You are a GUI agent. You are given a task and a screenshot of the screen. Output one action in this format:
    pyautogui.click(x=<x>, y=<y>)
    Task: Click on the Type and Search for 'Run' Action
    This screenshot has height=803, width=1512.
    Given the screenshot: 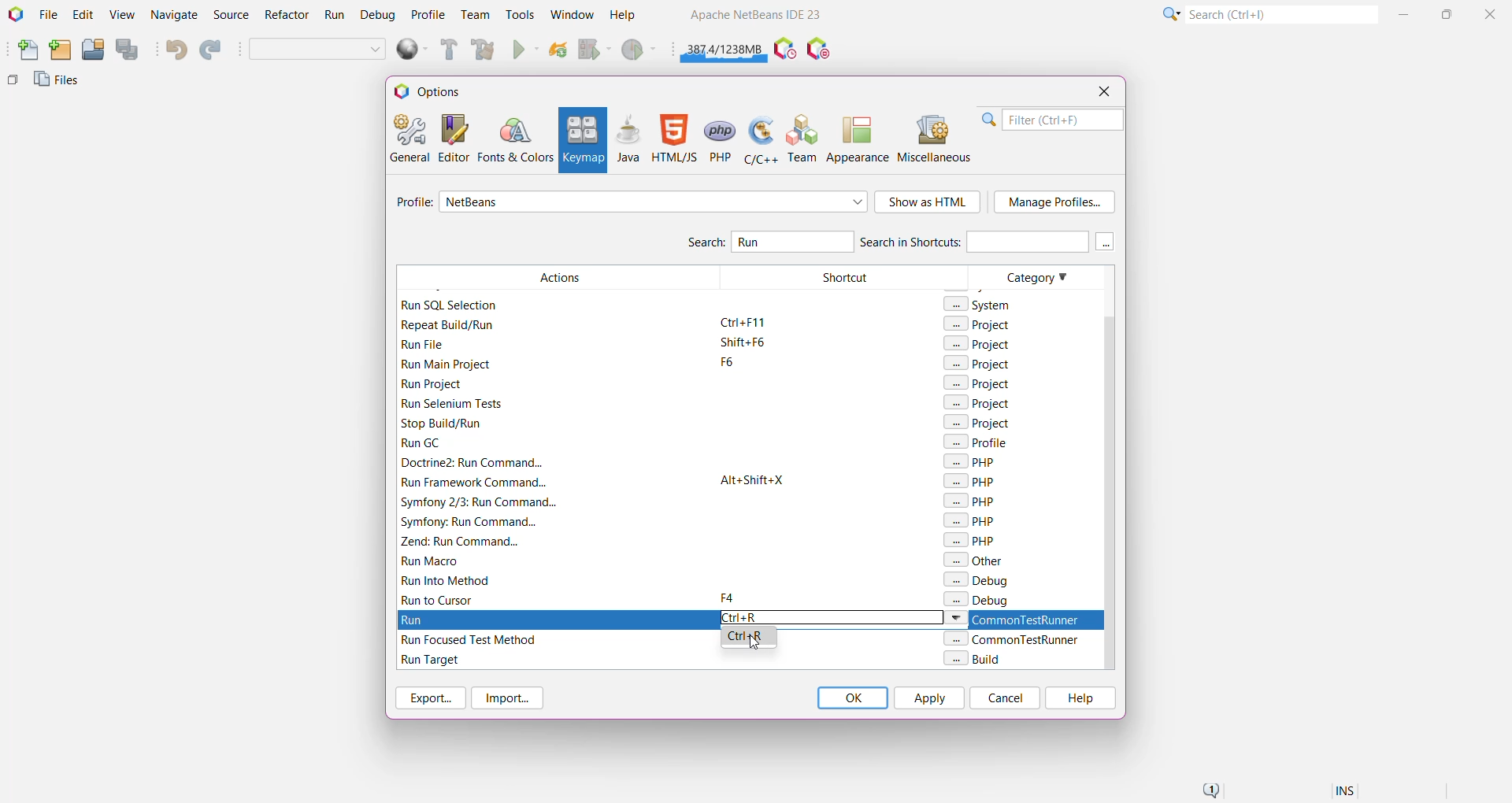 What is the action you would take?
    pyautogui.click(x=793, y=241)
    